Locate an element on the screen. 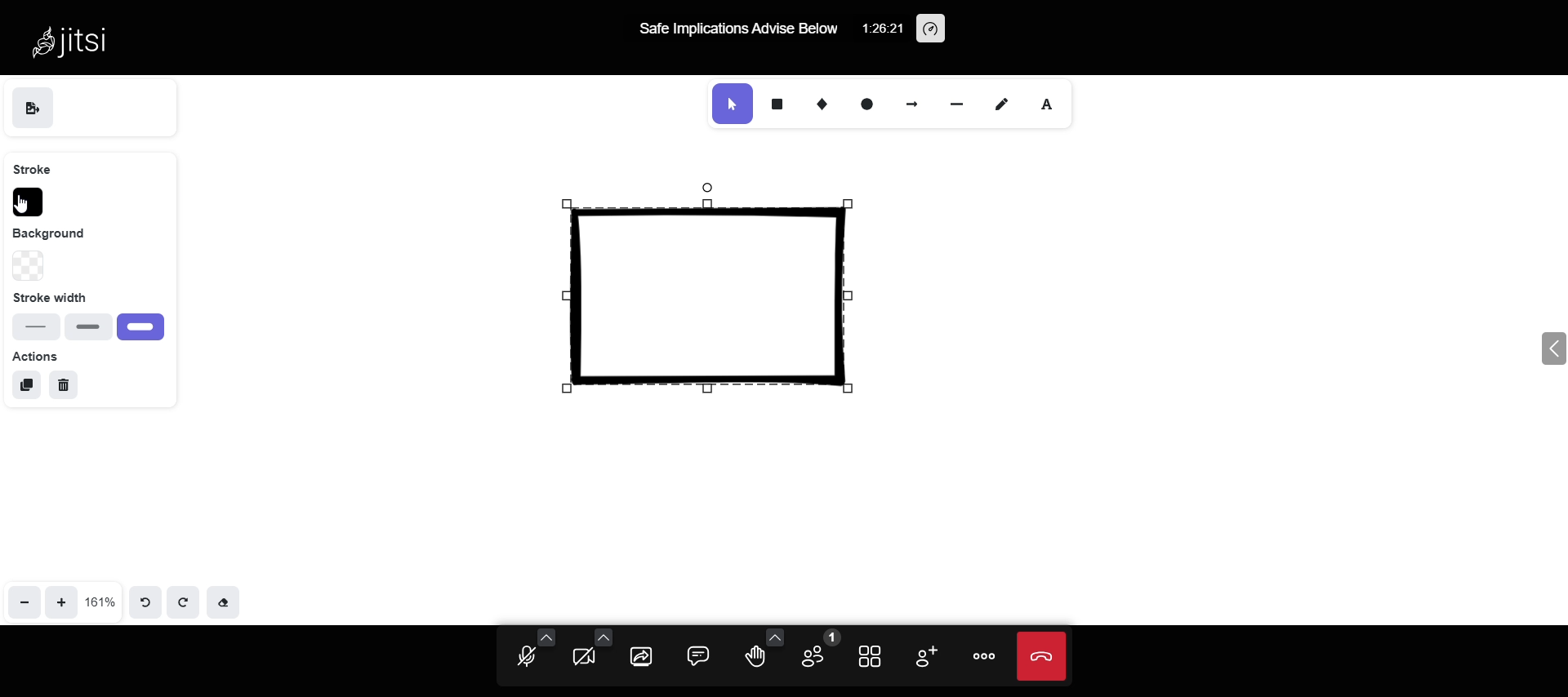 The image size is (1568, 697). share screen is located at coordinates (637, 657).